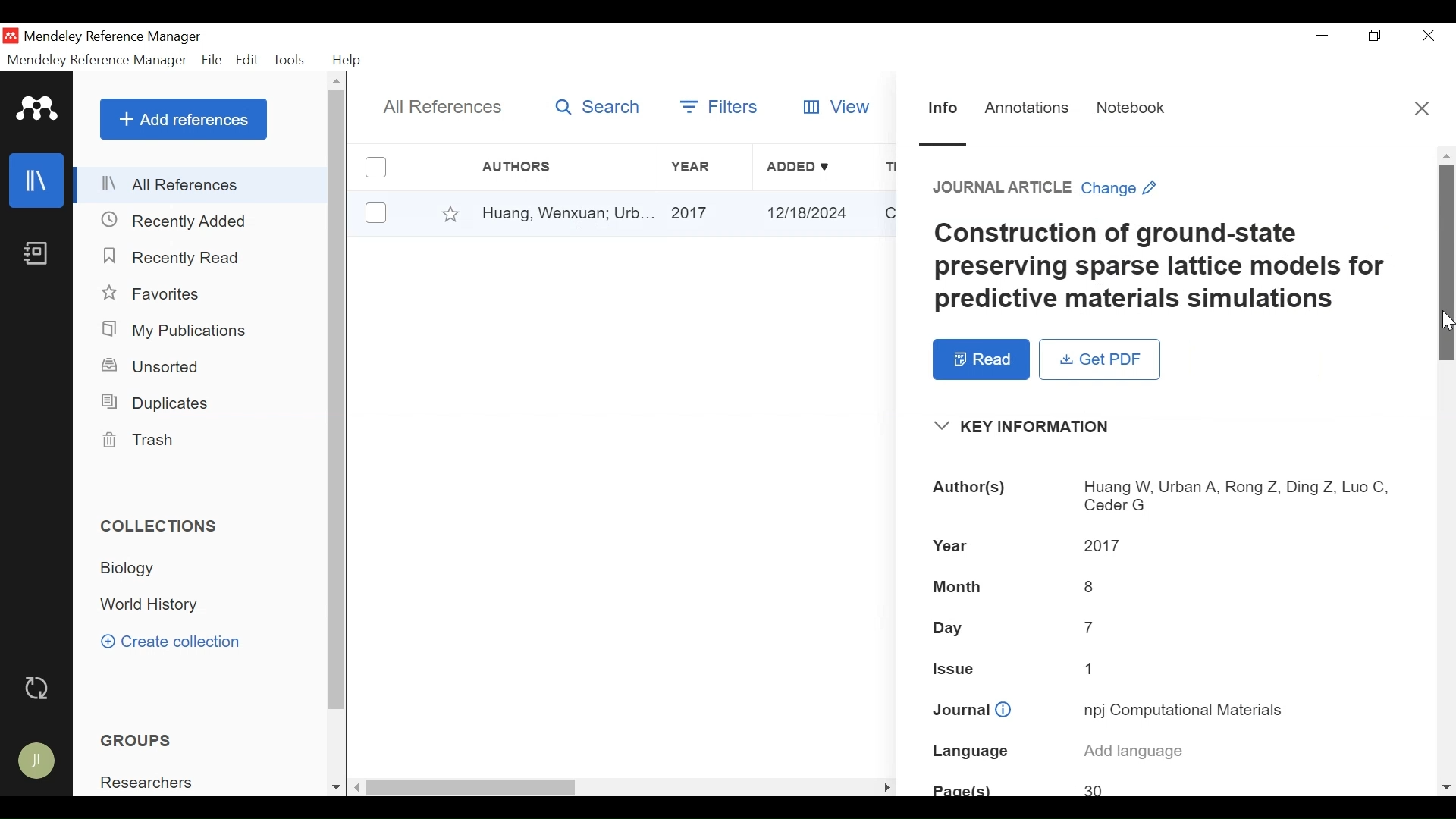  What do you see at coordinates (956, 669) in the screenshot?
I see `Issue` at bounding box center [956, 669].